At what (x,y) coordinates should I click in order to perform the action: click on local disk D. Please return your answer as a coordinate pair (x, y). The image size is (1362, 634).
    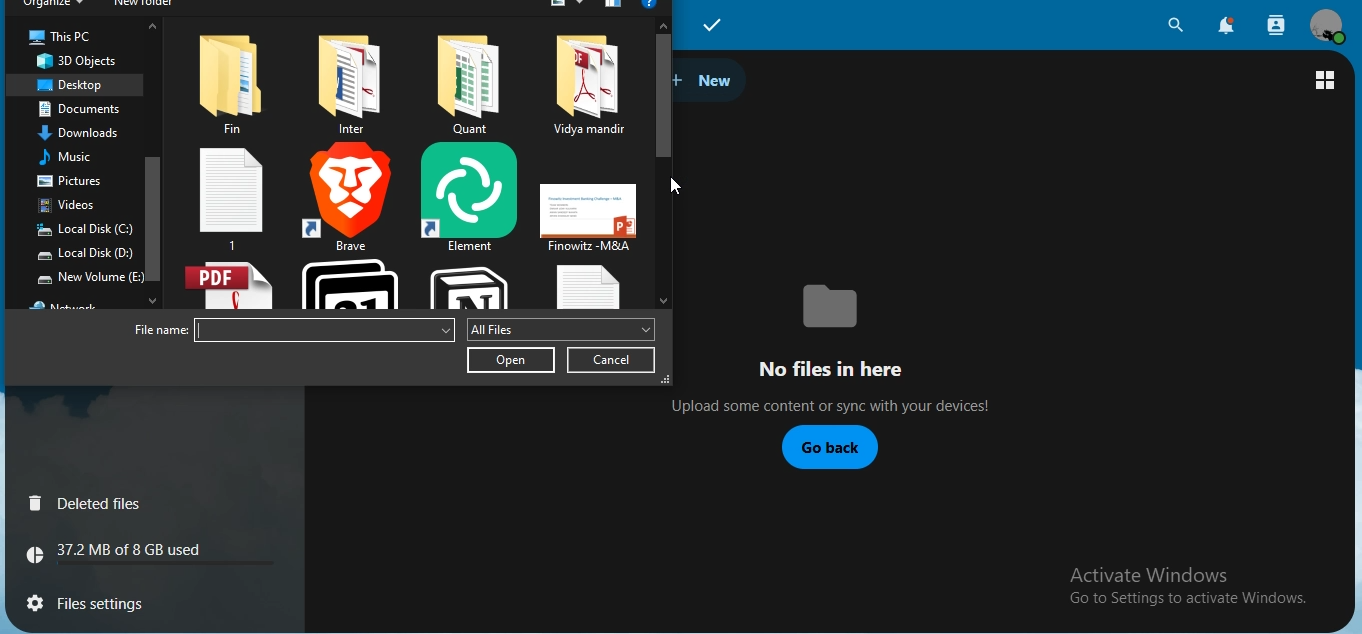
    Looking at the image, I should click on (84, 255).